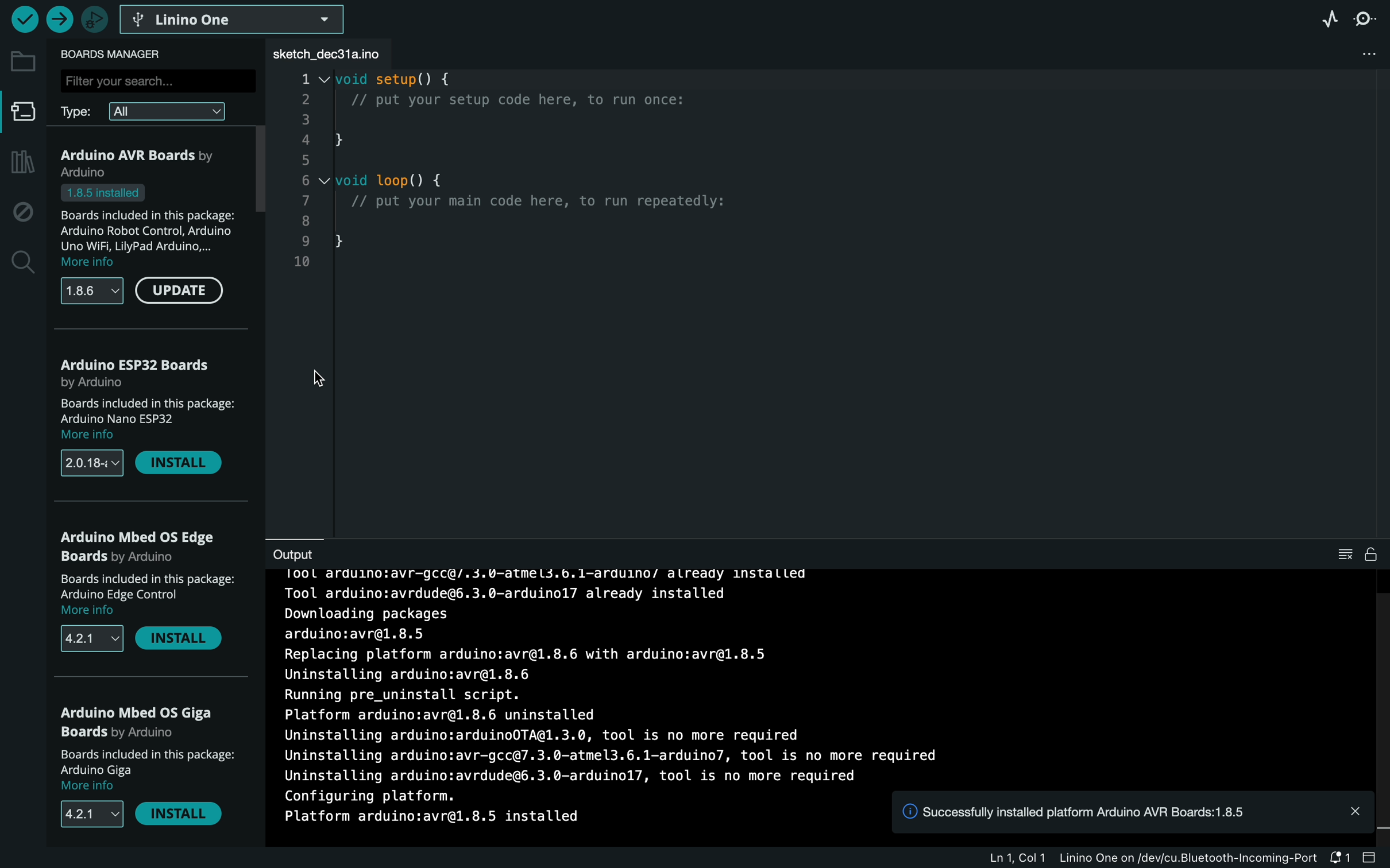 The image size is (1390, 868). What do you see at coordinates (90, 638) in the screenshot?
I see `versions` at bounding box center [90, 638].